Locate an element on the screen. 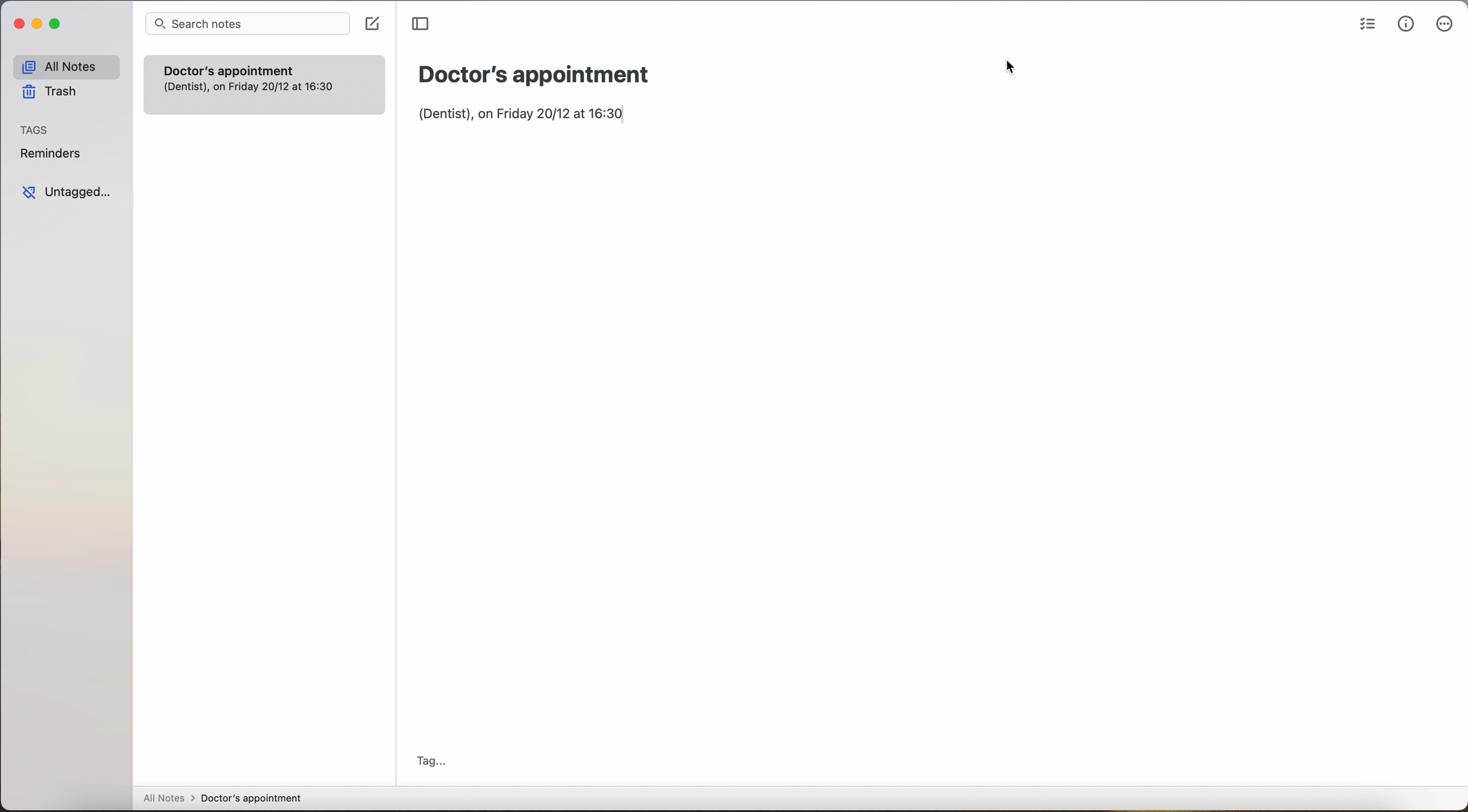 The height and width of the screenshot is (812, 1468). (Dentist), on Friday 20/12 at 16:30 is located at coordinates (256, 93).